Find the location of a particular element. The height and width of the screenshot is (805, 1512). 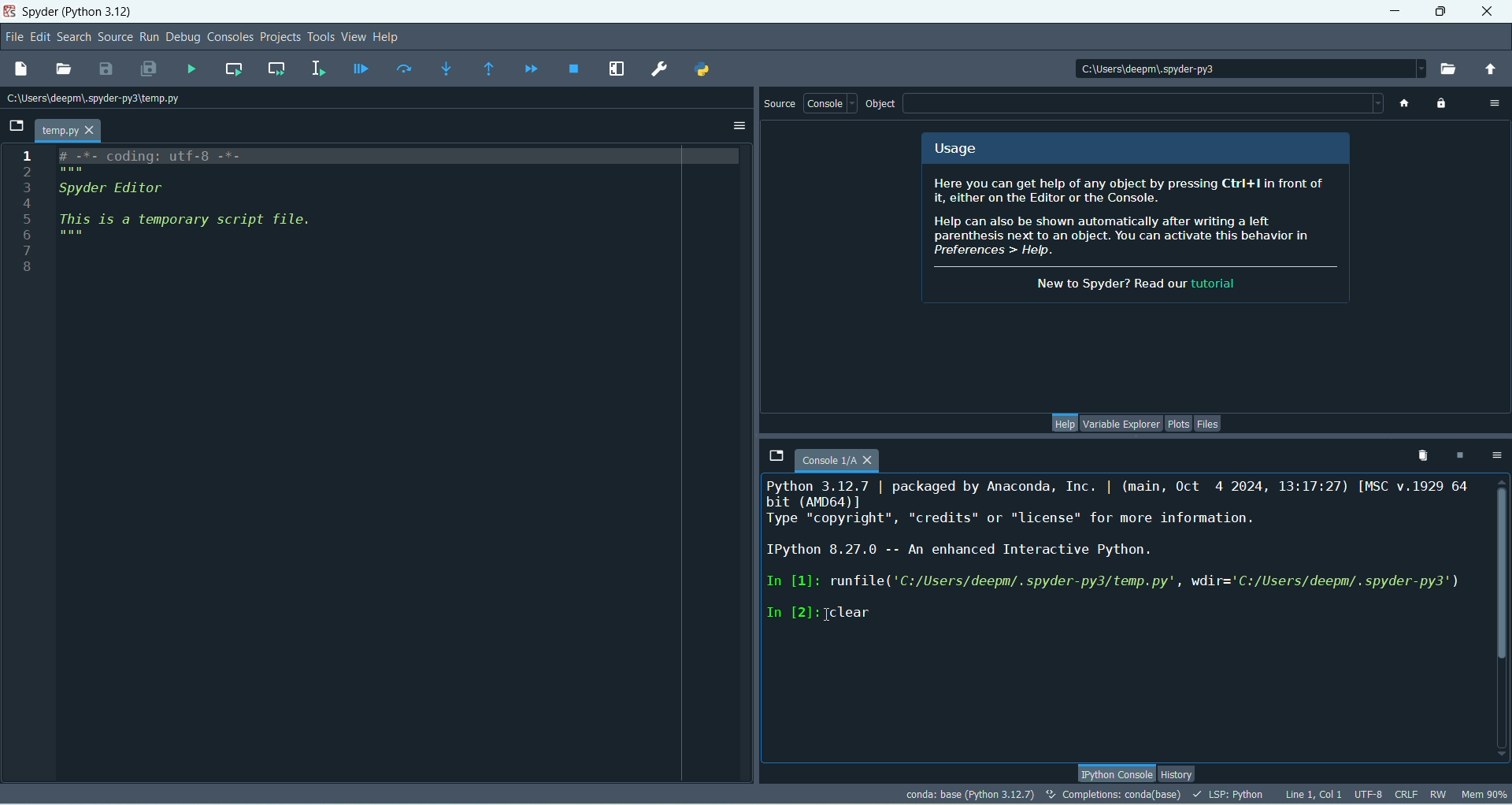

new is located at coordinates (21, 69).